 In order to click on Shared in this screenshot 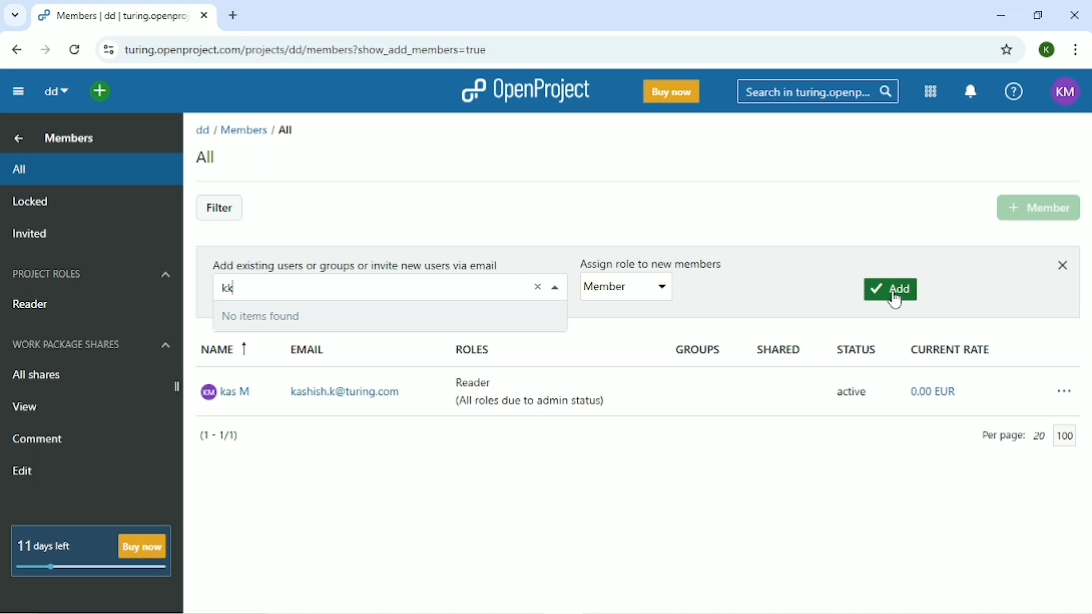, I will do `click(779, 350)`.